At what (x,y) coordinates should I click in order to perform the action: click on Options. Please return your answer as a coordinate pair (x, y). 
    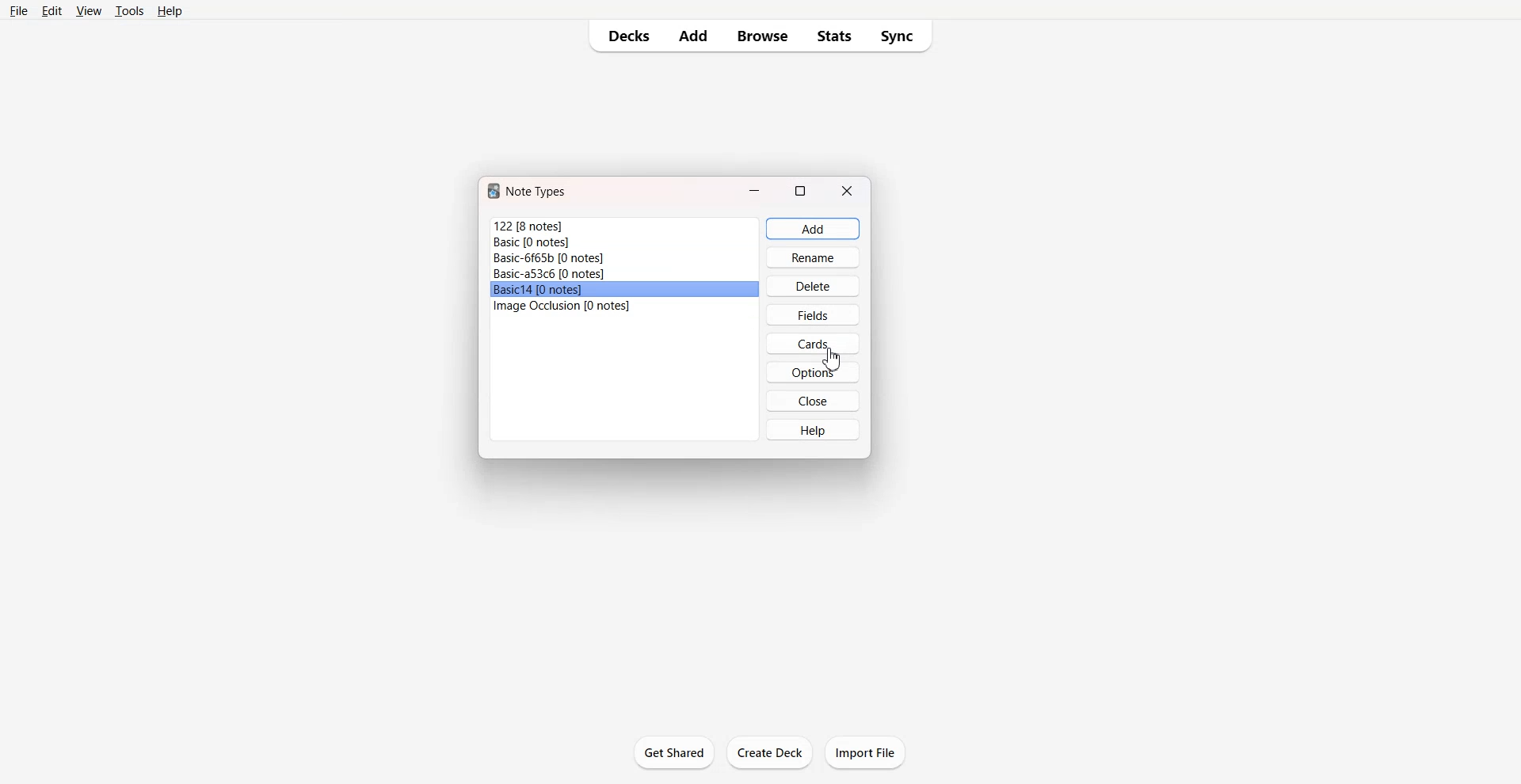
    Looking at the image, I should click on (811, 372).